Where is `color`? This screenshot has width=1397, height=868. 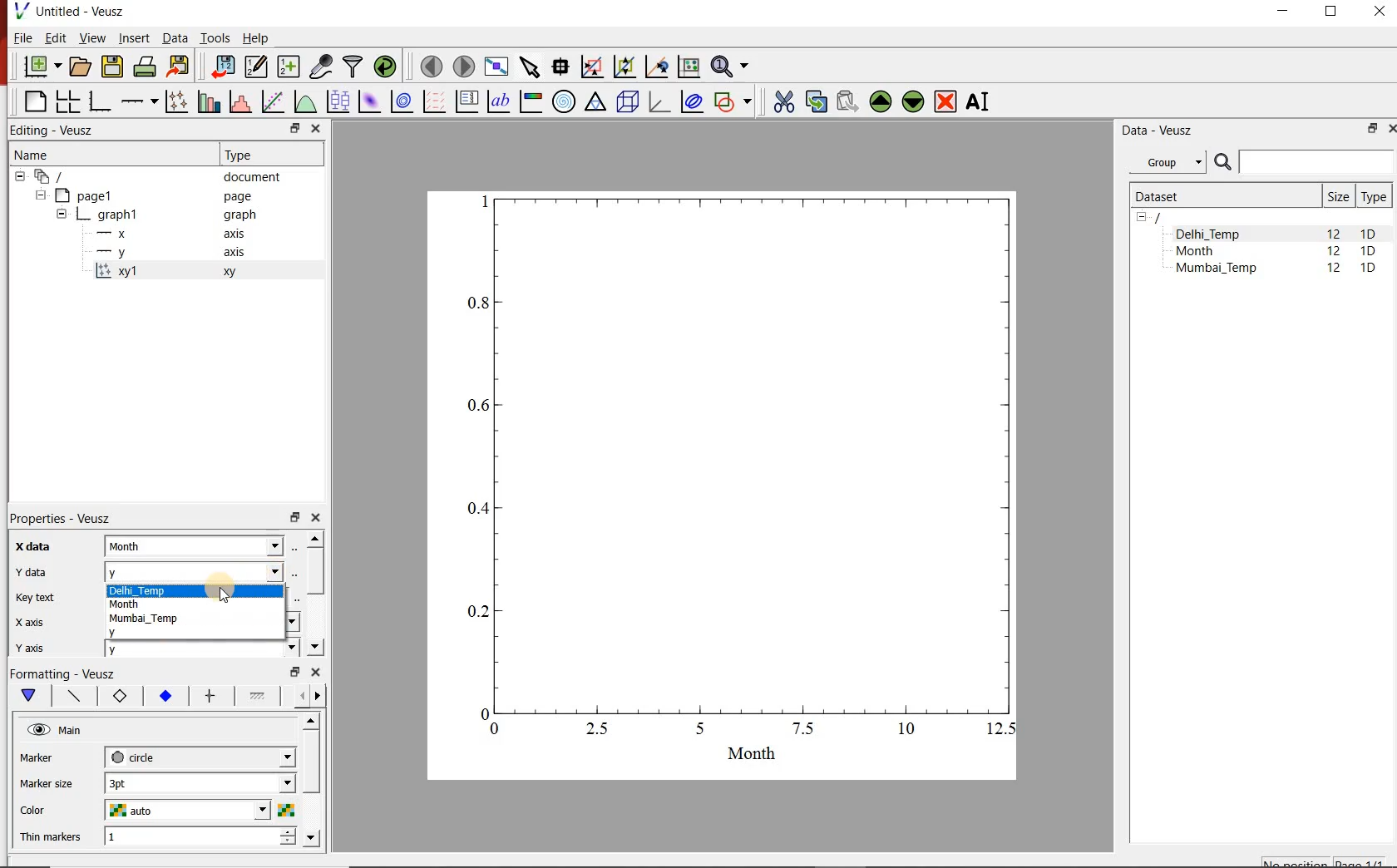 color is located at coordinates (47, 811).